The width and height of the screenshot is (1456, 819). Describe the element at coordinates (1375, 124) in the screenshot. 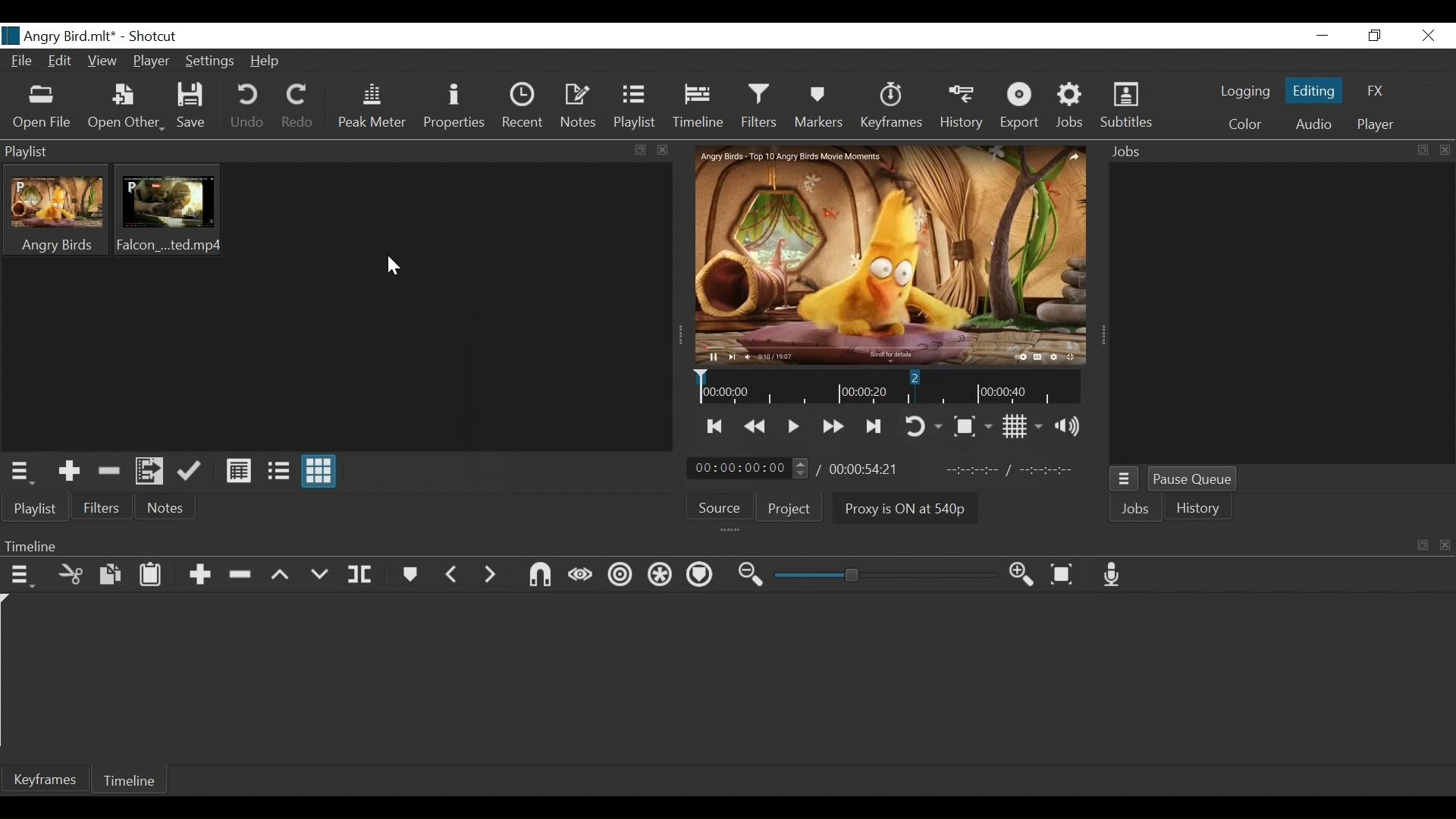

I see `Player` at that location.